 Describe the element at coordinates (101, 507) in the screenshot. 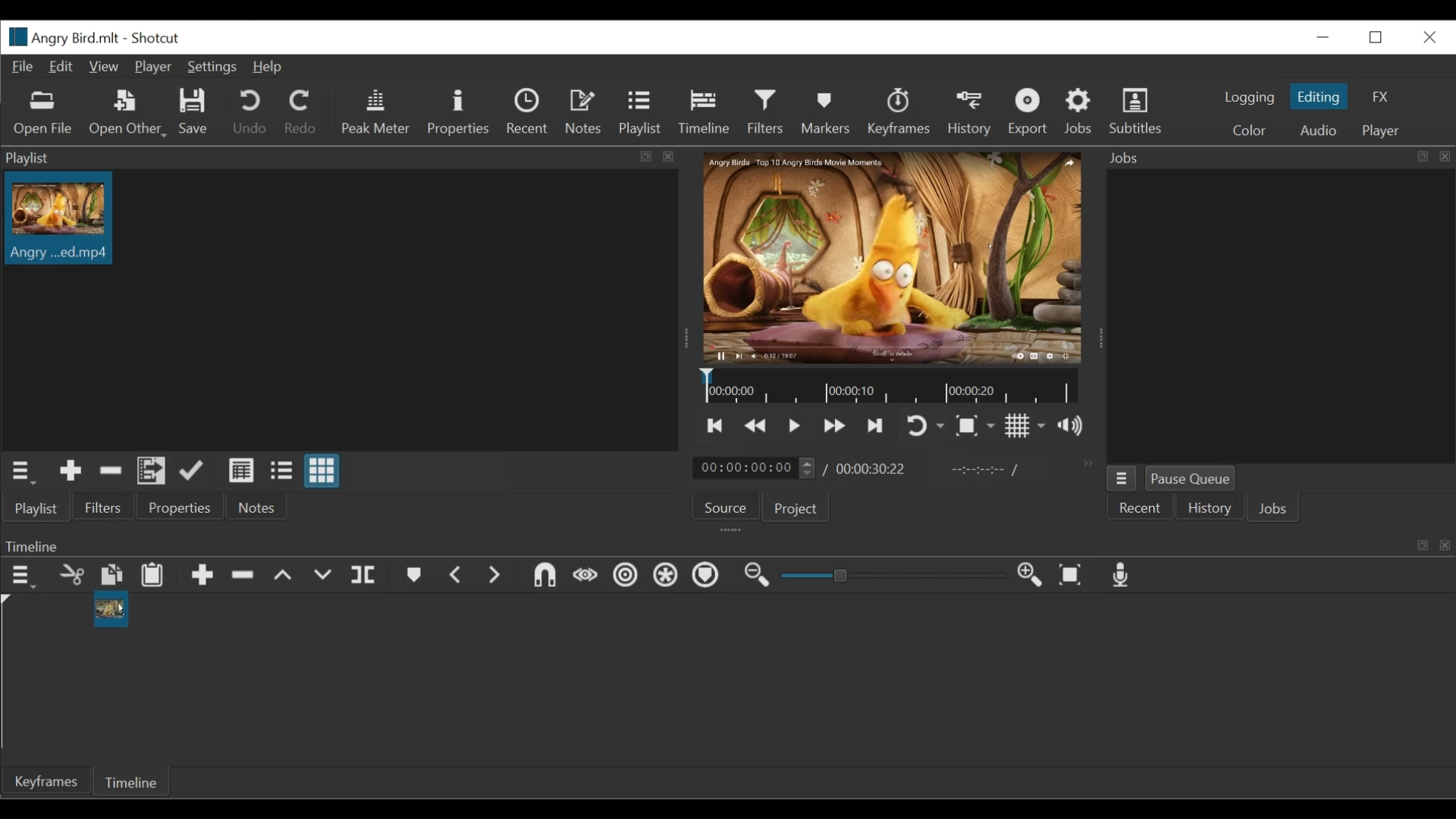

I see `Filters` at that location.